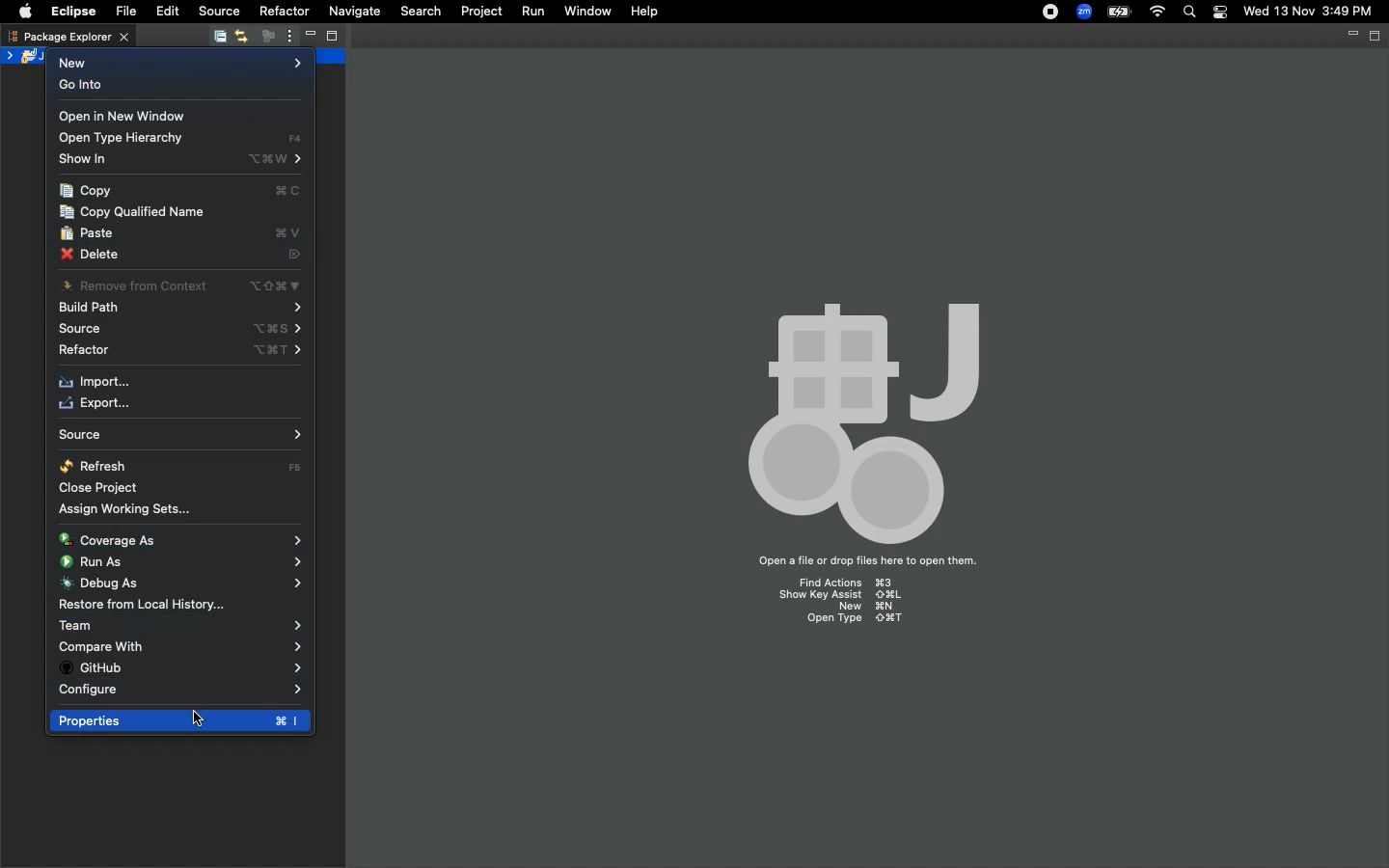  What do you see at coordinates (1376, 37) in the screenshot?
I see `Maximize` at bounding box center [1376, 37].